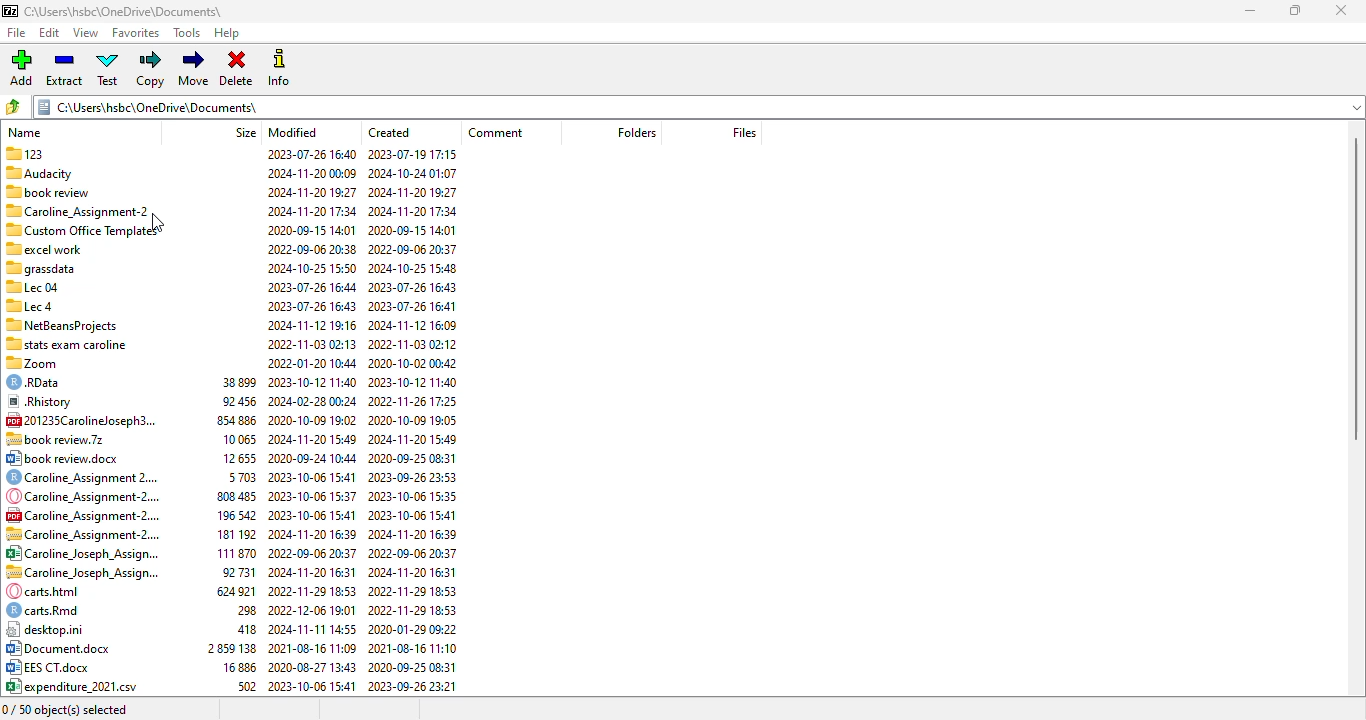  I want to click on 2022-12-06 19:011, so click(312, 610).